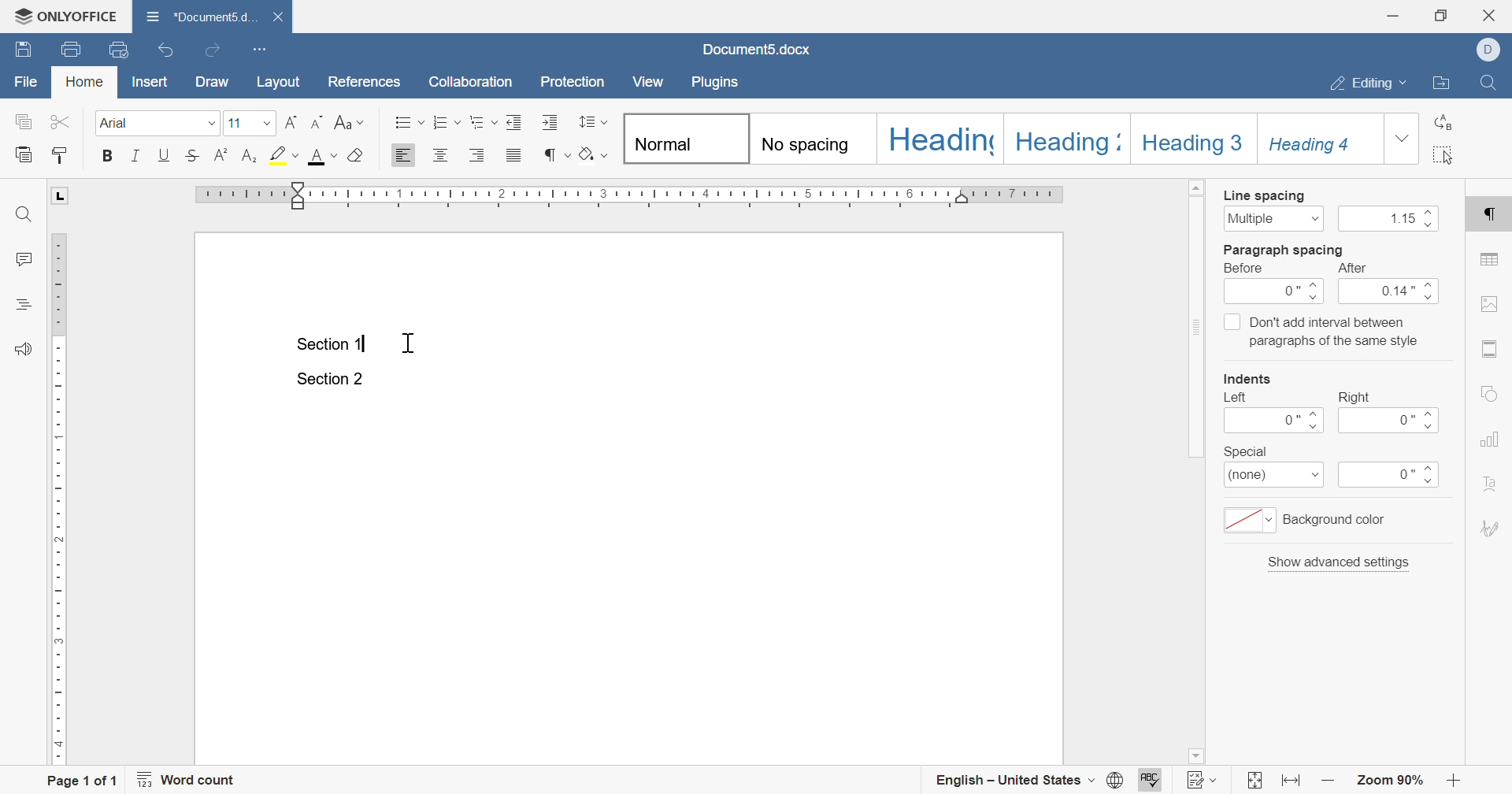 This screenshot has width=1512, height=794. What do you see at coordinates (235, 124) in the screenshot?
I see `font size` at bounding box center [235, 124].